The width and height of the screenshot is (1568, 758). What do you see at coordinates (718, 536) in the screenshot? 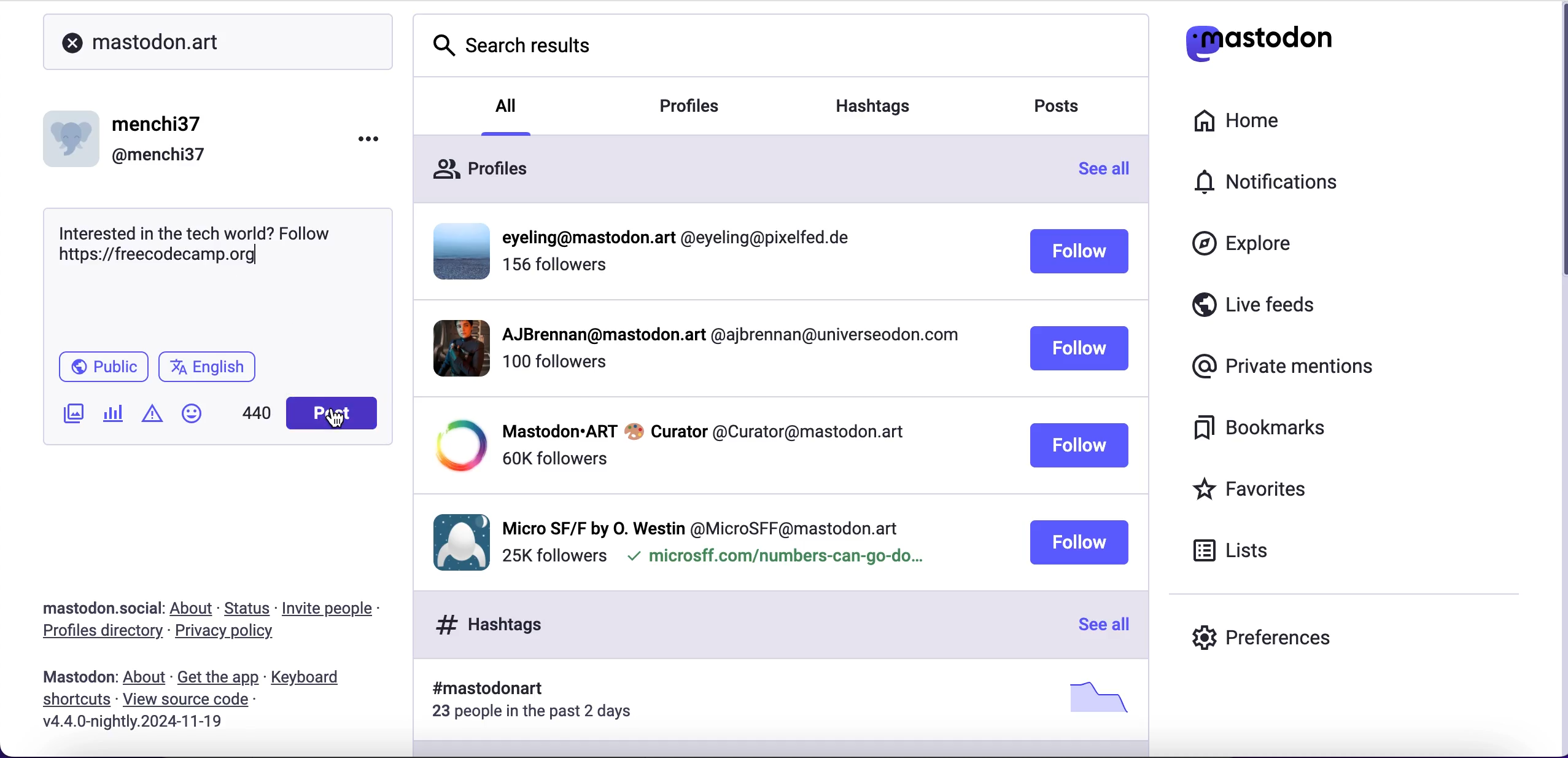
I see `user profile` at bounding box center [718, 536].